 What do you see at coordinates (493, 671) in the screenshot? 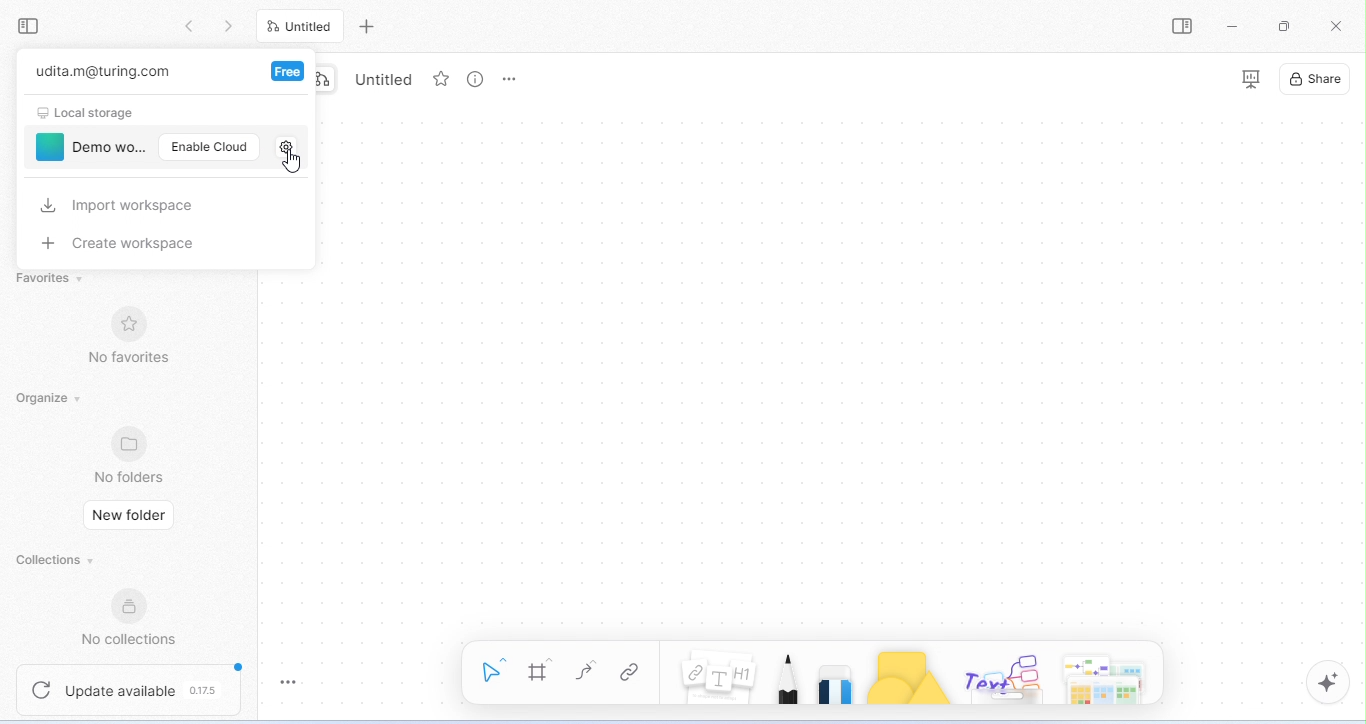
I see `select` at bounding box center [493, 671].